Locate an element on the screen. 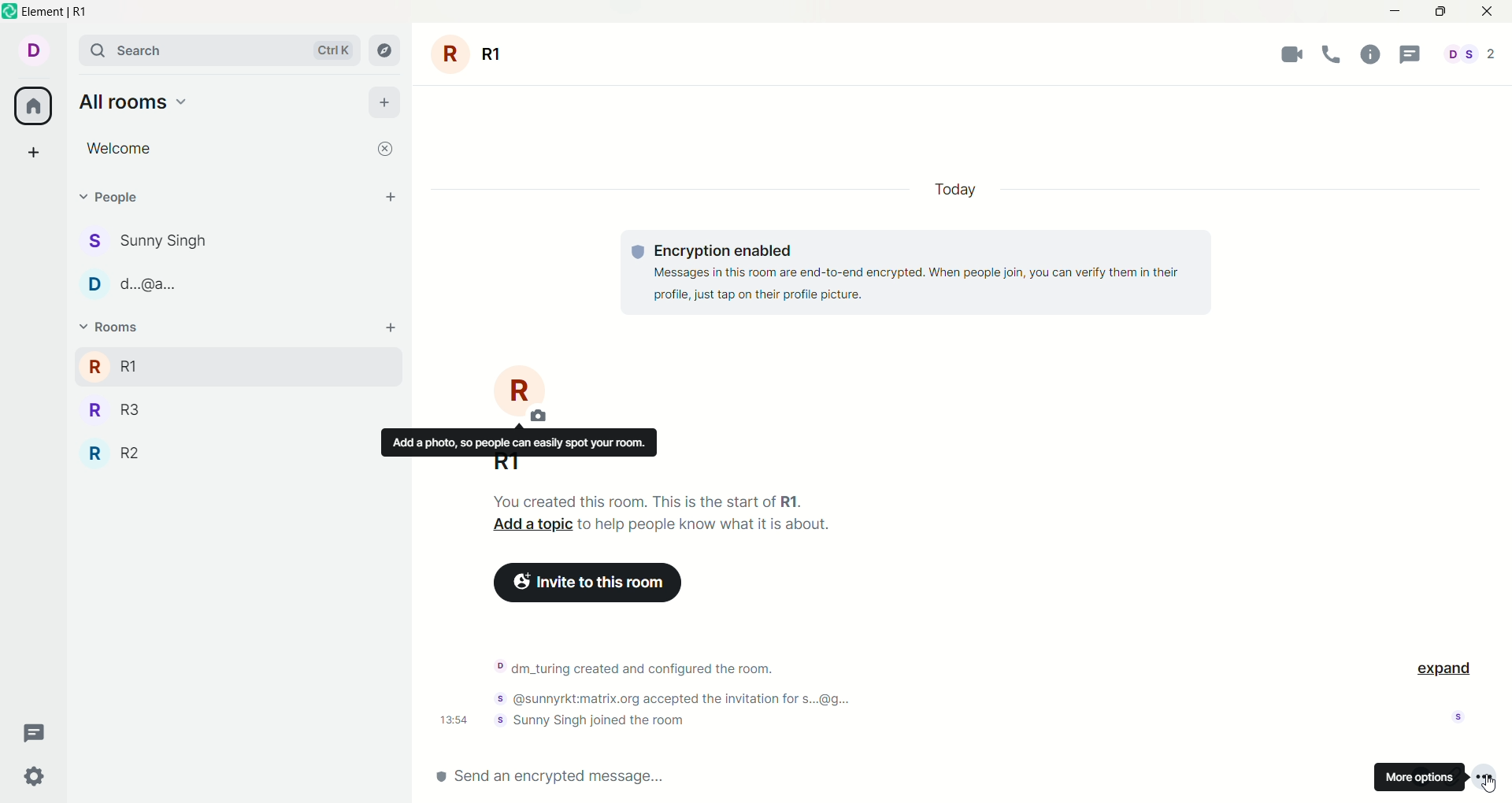 The width and height of the screenshot is (1512, 803). threads is located at coordinates (35, 734).